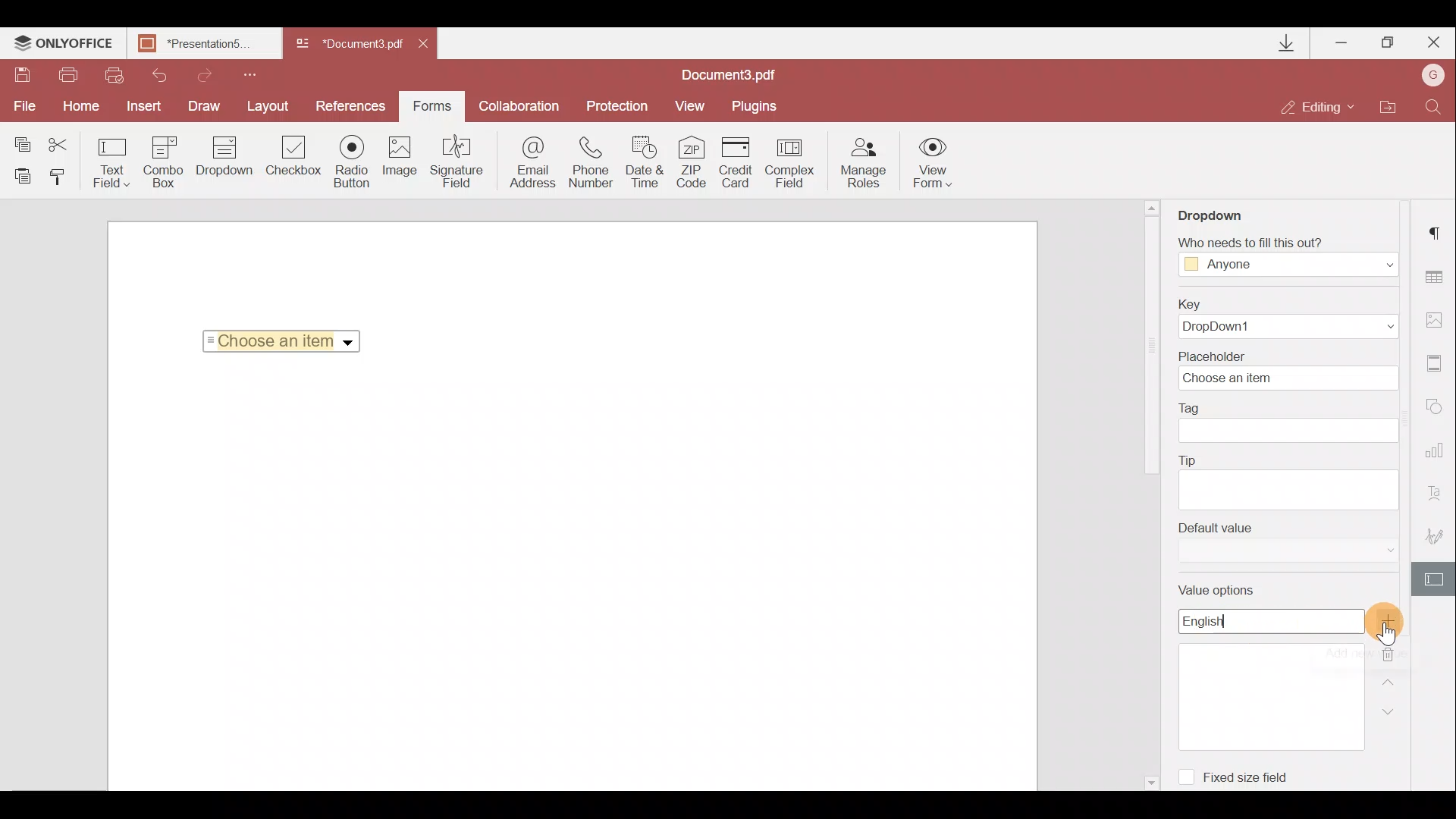  Describe the element at coordinates (696, 165) in the screenshot. I see `ZIP code` at that location.